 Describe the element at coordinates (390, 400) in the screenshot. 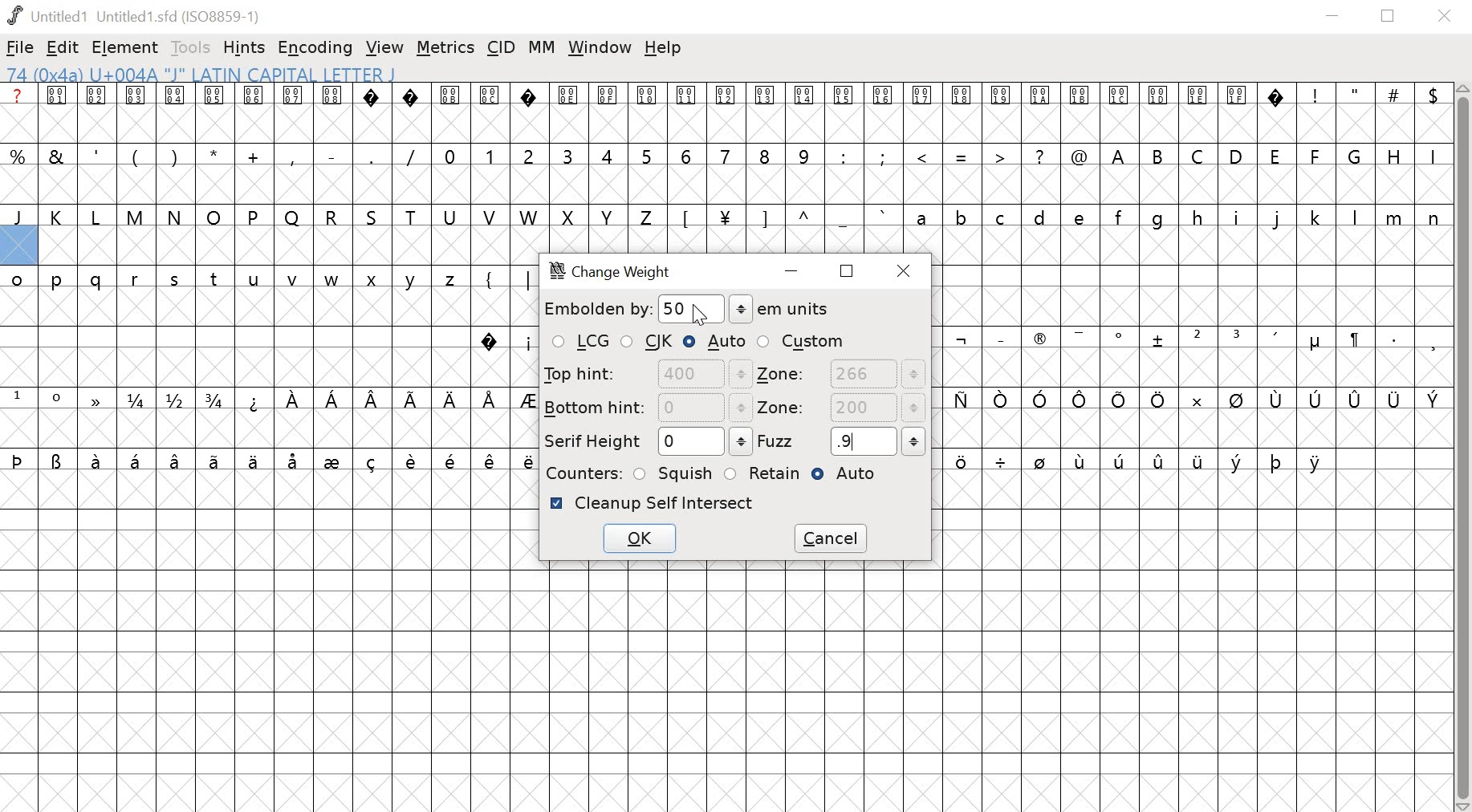

I see `symbols` at that location.